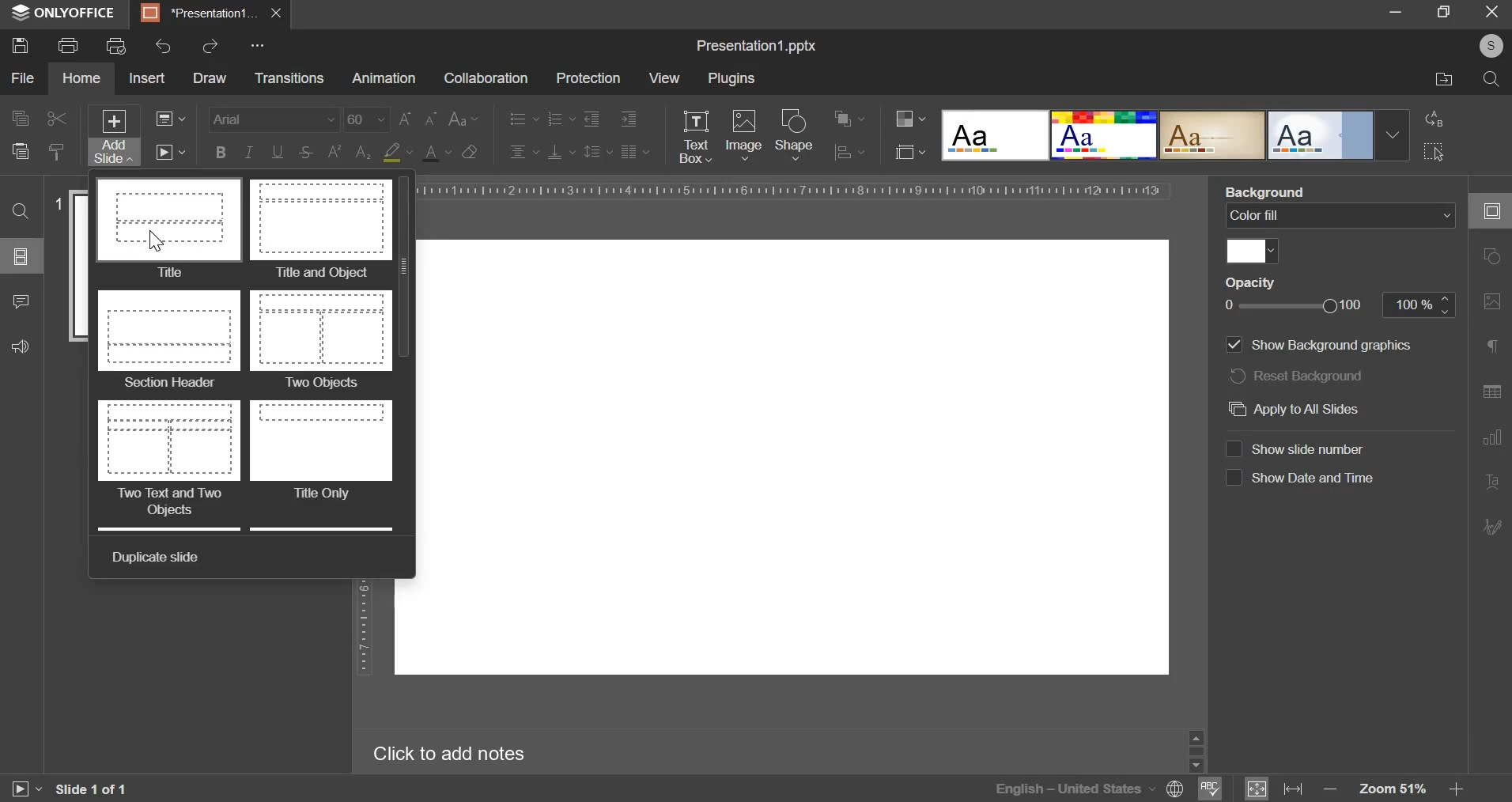 The width and height of the screenshot is (1512, 802). Describe the element at coordinates (164, 46) in the screenshot. I see `undo` at that location.